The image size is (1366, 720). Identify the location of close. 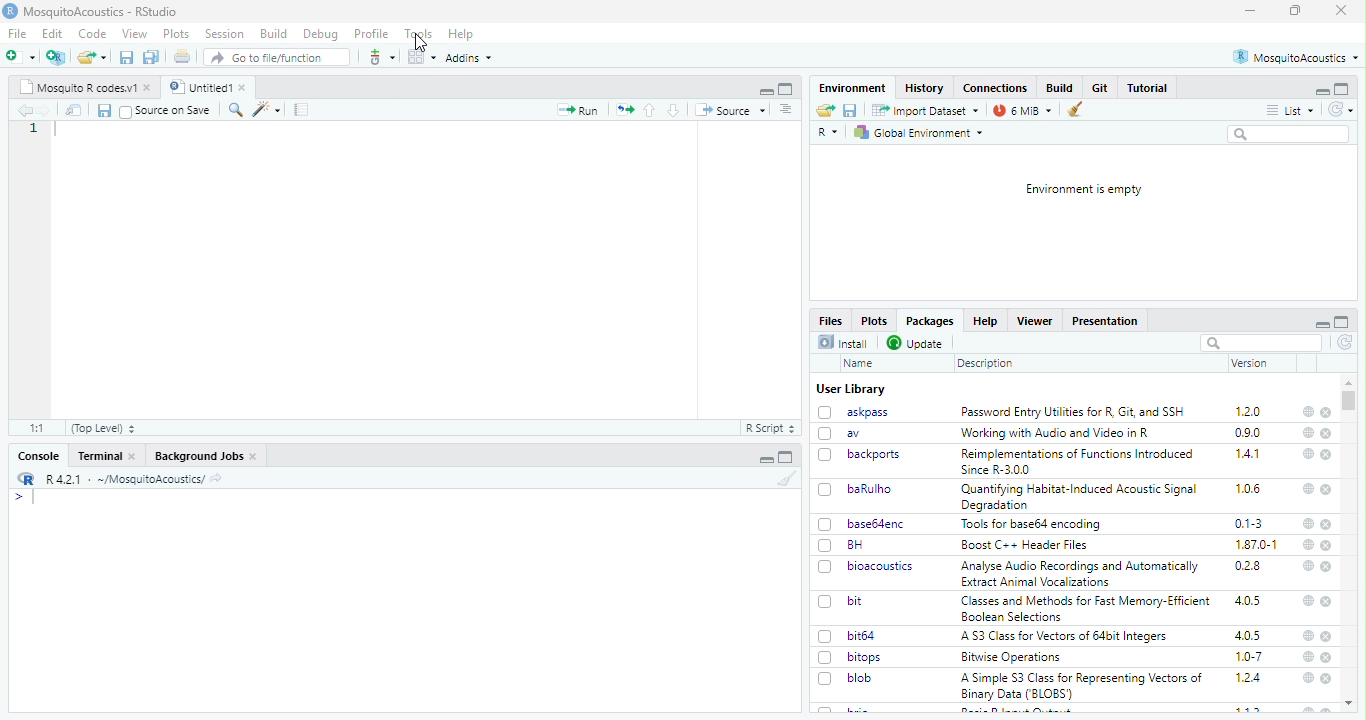
(1327, 491).